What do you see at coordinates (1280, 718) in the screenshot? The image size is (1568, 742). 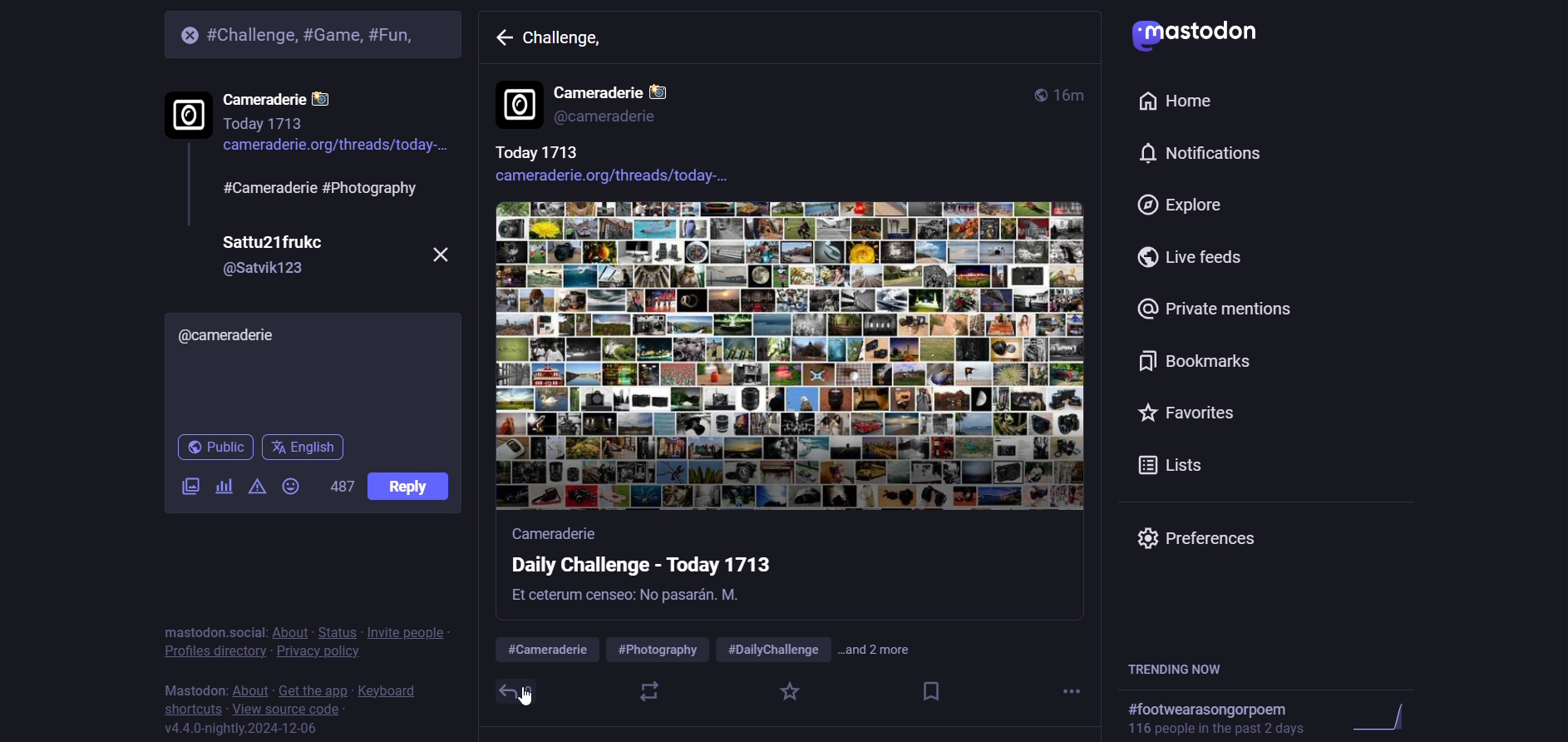 I see `#footwearasongorpoem
116 people in the past 2 days` at bounding box center [1280, 718].